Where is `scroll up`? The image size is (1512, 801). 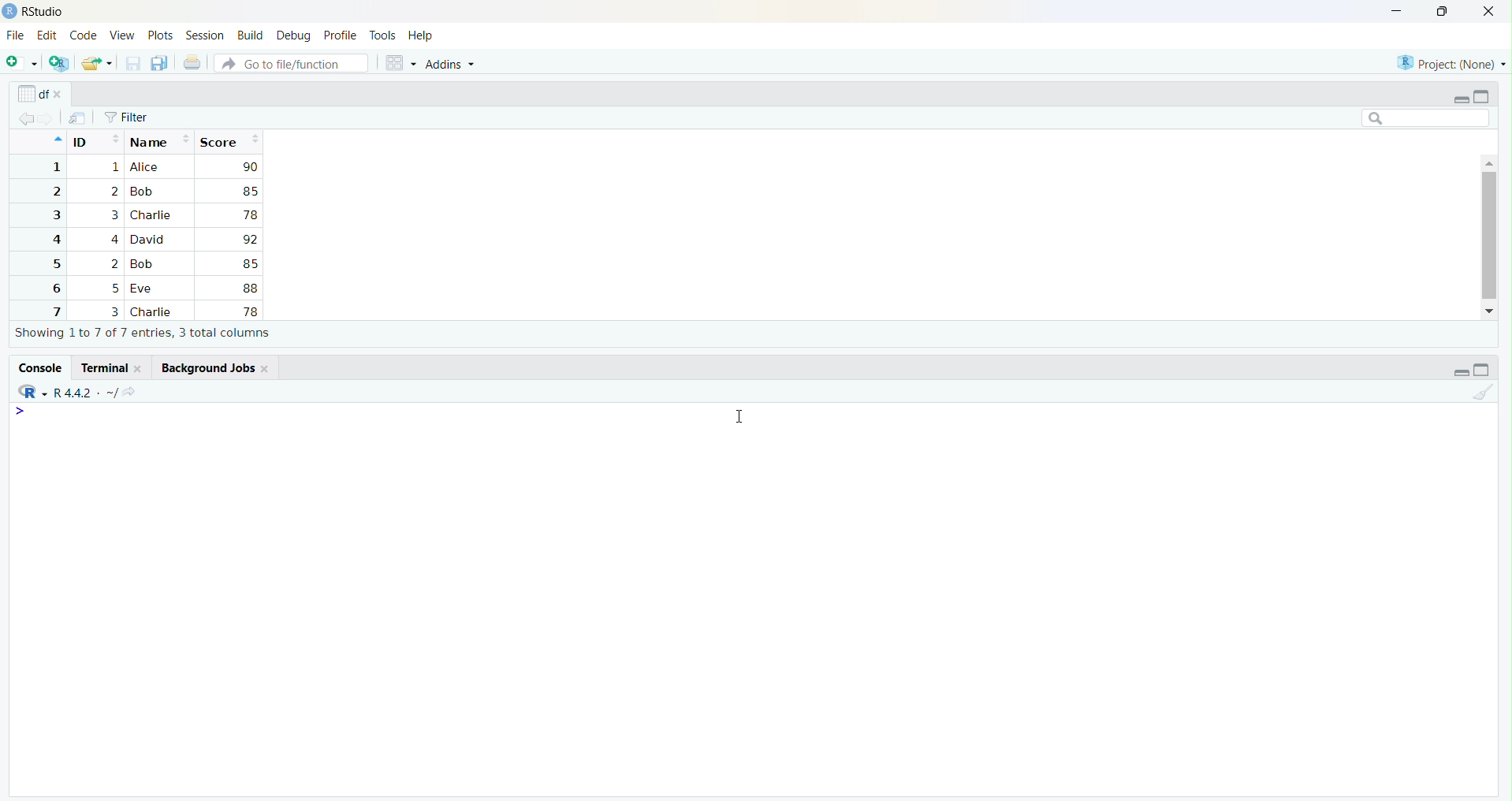
scroll up is located at coordinates (1488, 162).